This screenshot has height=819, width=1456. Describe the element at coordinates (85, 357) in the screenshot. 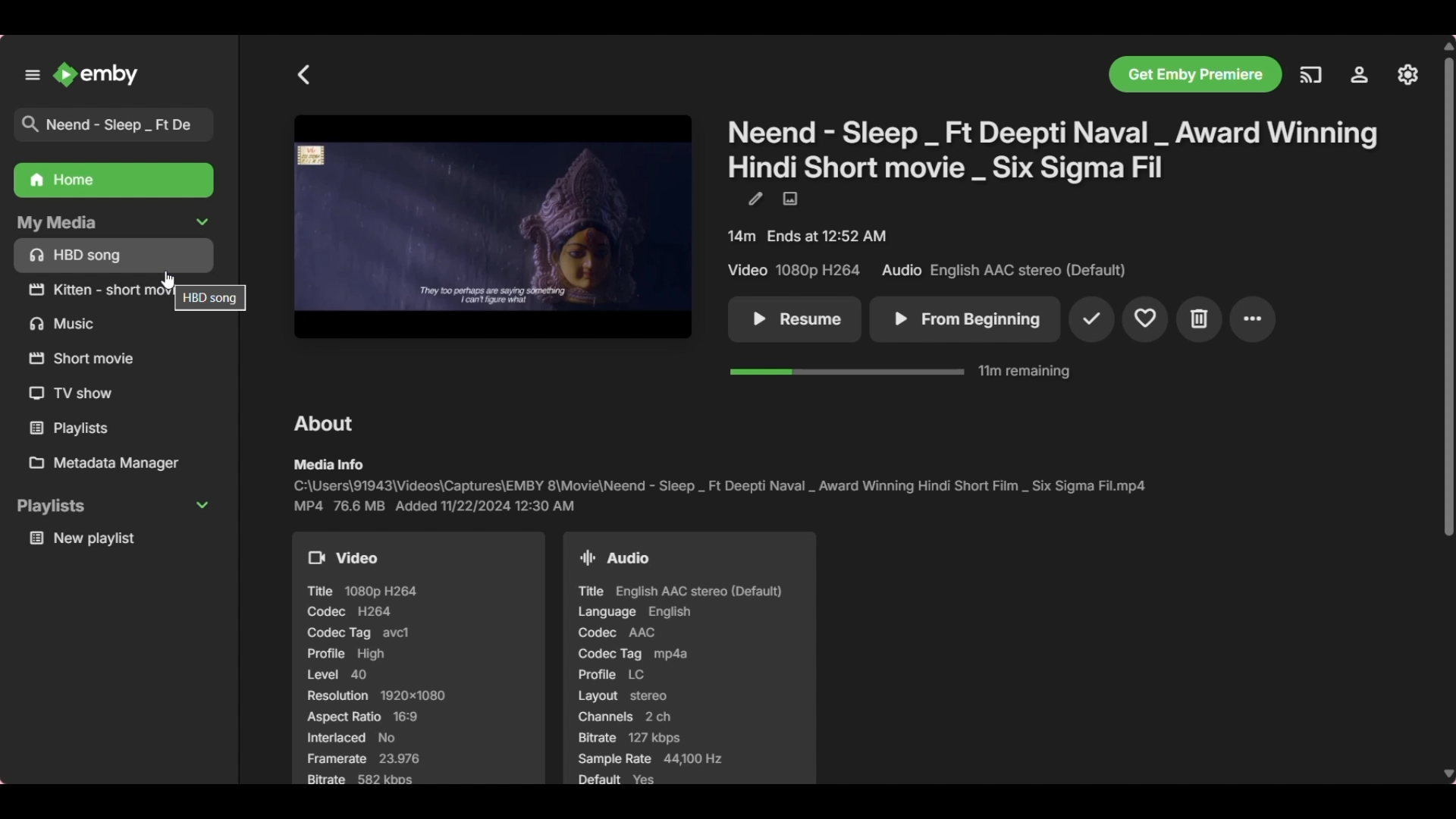

I see `` at that location.